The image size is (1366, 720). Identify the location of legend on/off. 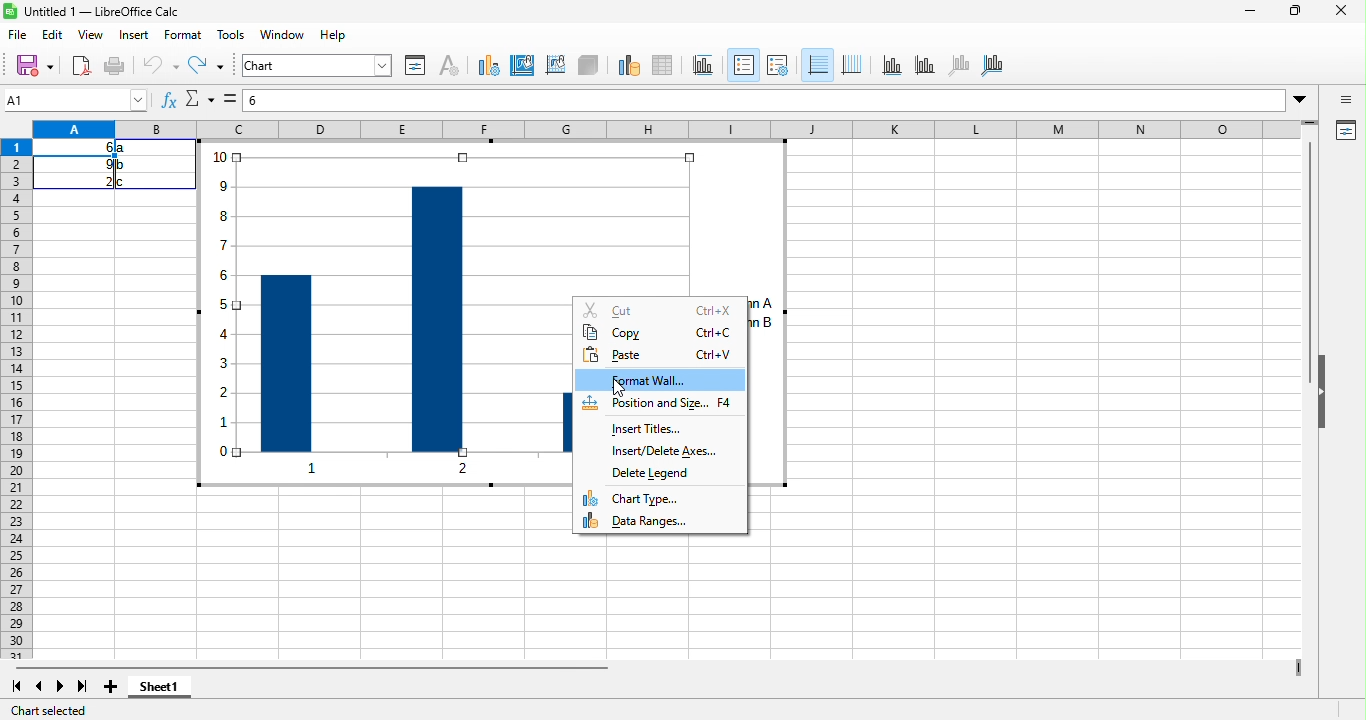
(778, 65).